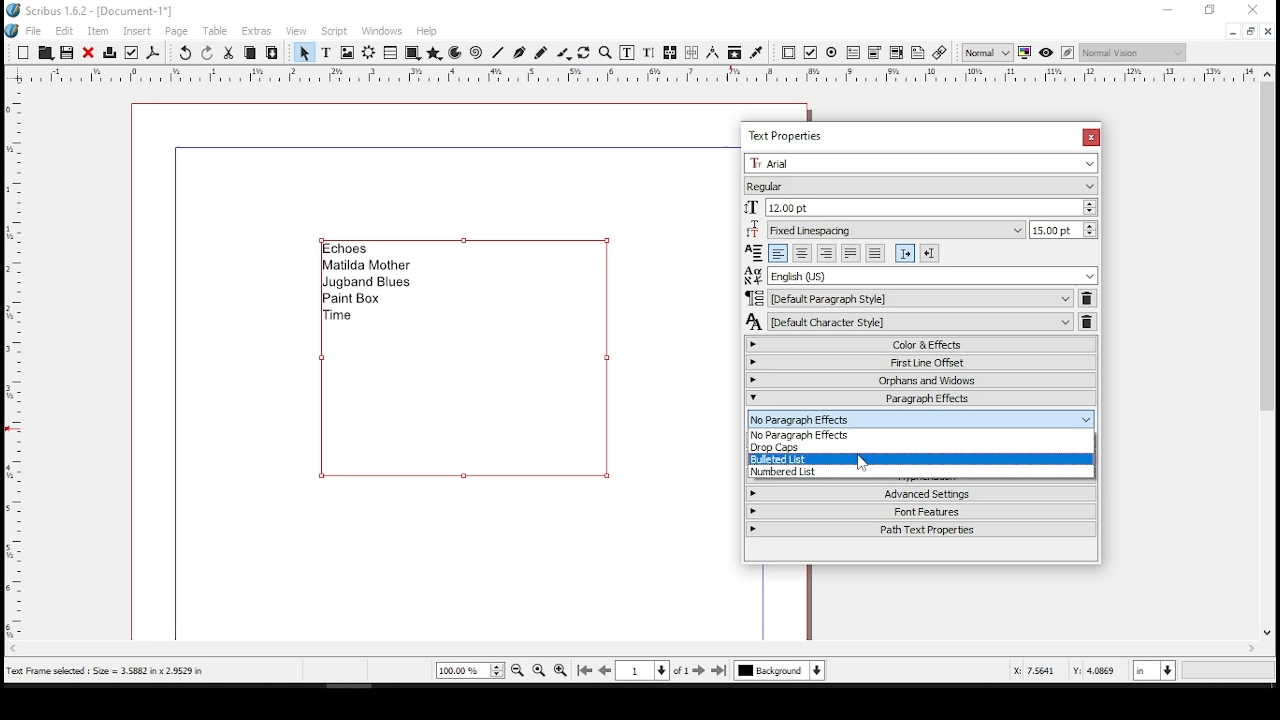 This screenshot has height=720, width=1280. What do you see at coordinates (1088, 298) in the screenshot?
I see `delete paragraph style` at bounding box center [1088, 298].